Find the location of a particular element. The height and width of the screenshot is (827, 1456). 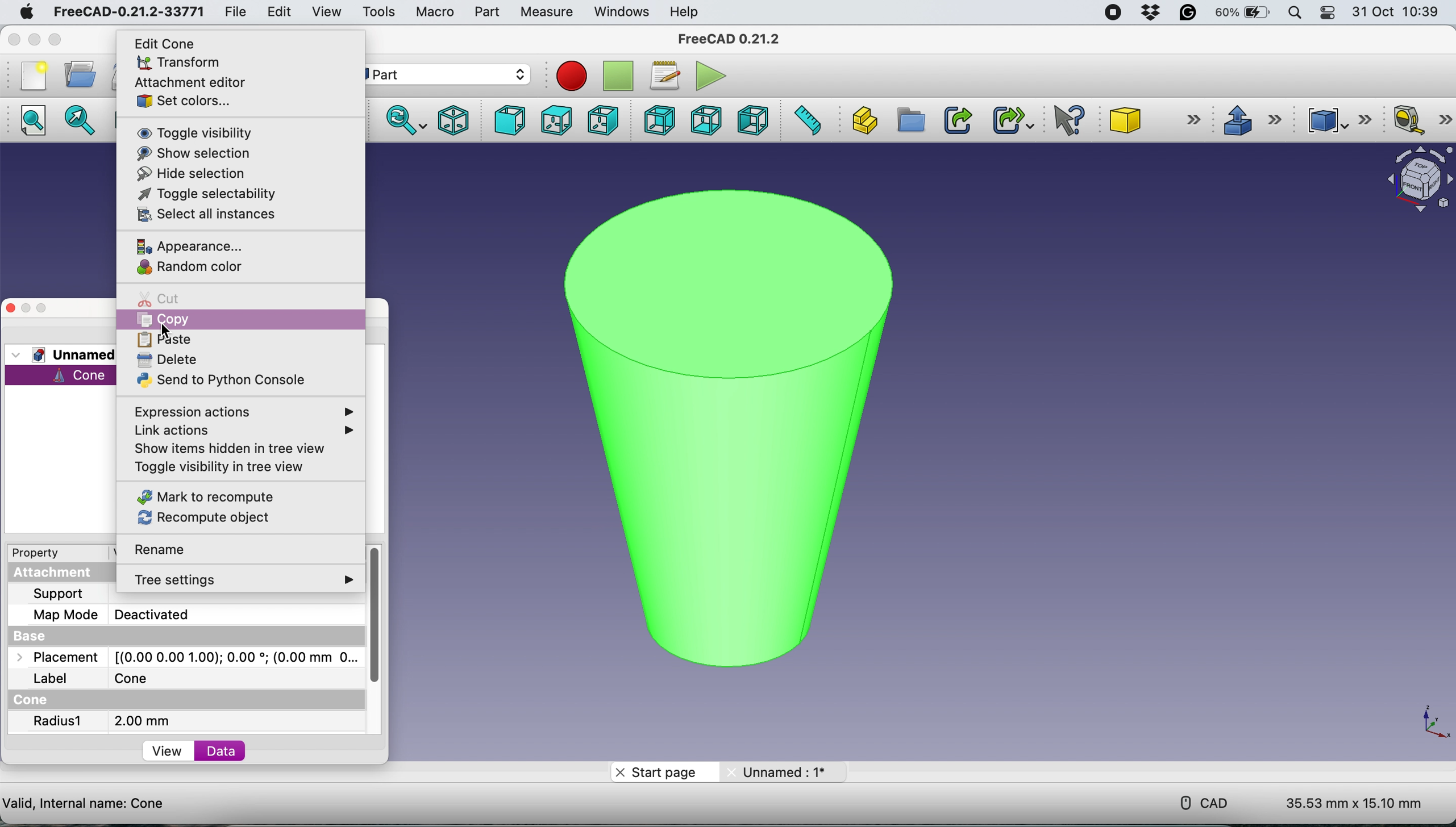

paste is located at coordinates (168, 342).